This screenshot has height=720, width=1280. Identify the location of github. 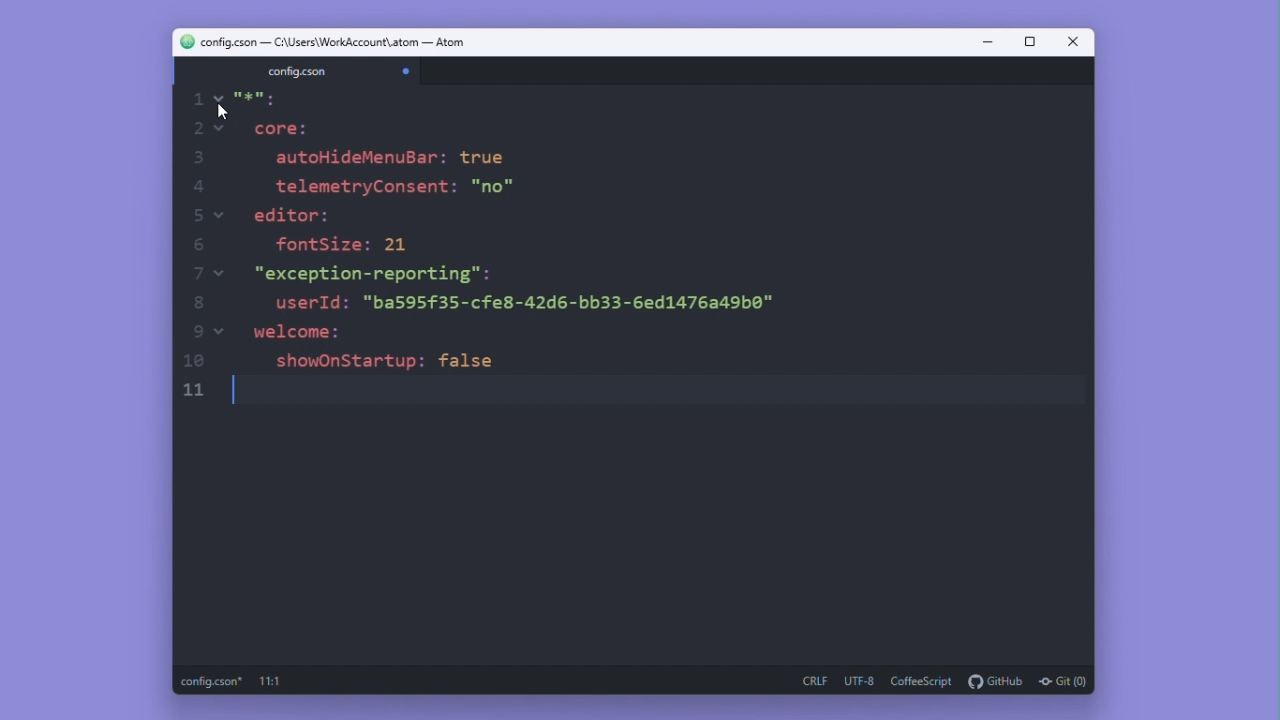
(997, 682).